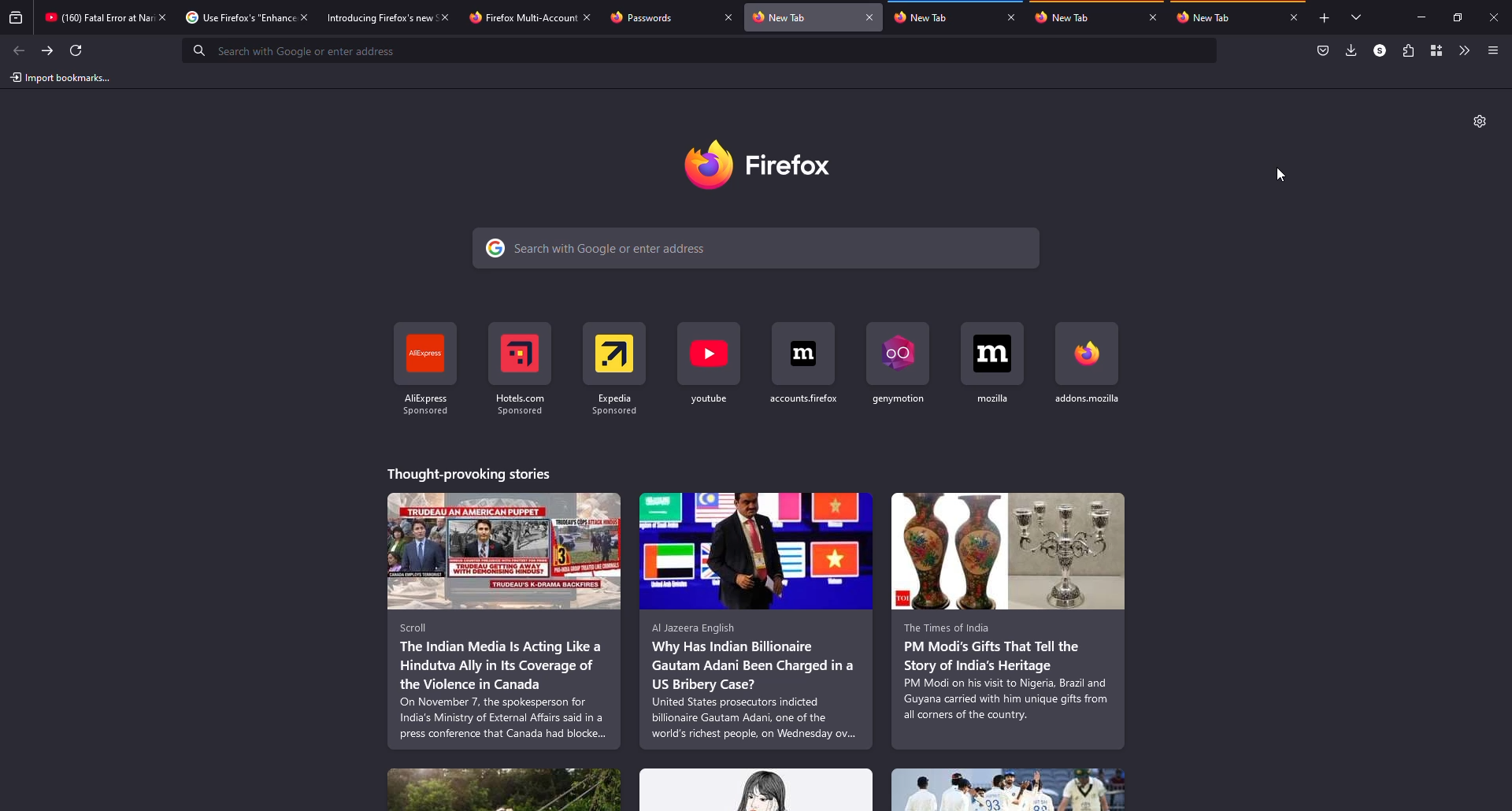 This screenshot has width=1512, height=811. What do you see at coordinates (468, 472) in the screenshot?
I see `stories` at bounding box center [468, 472].